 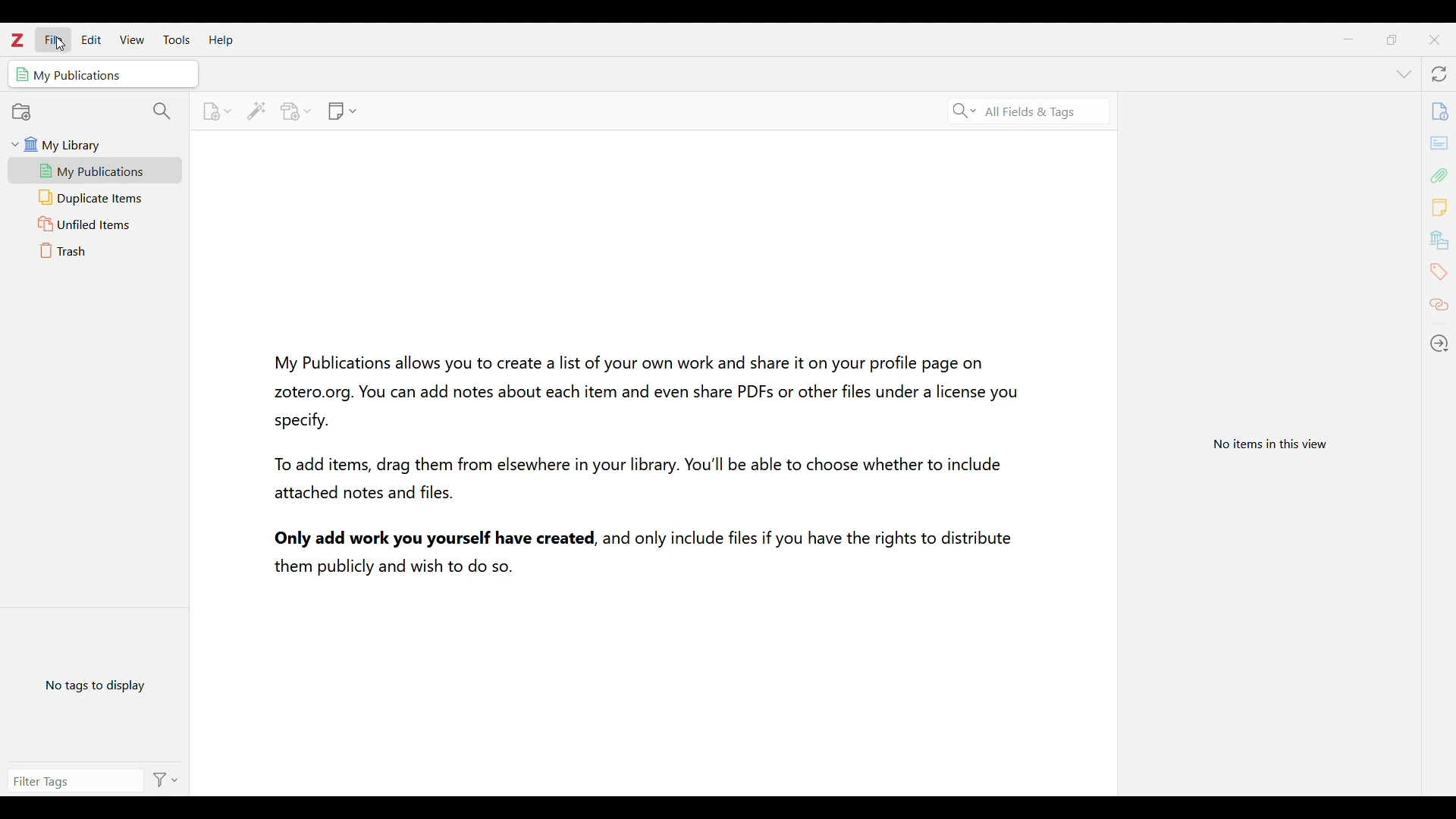 I want to click on Software logo, so click(x=17, y=40).